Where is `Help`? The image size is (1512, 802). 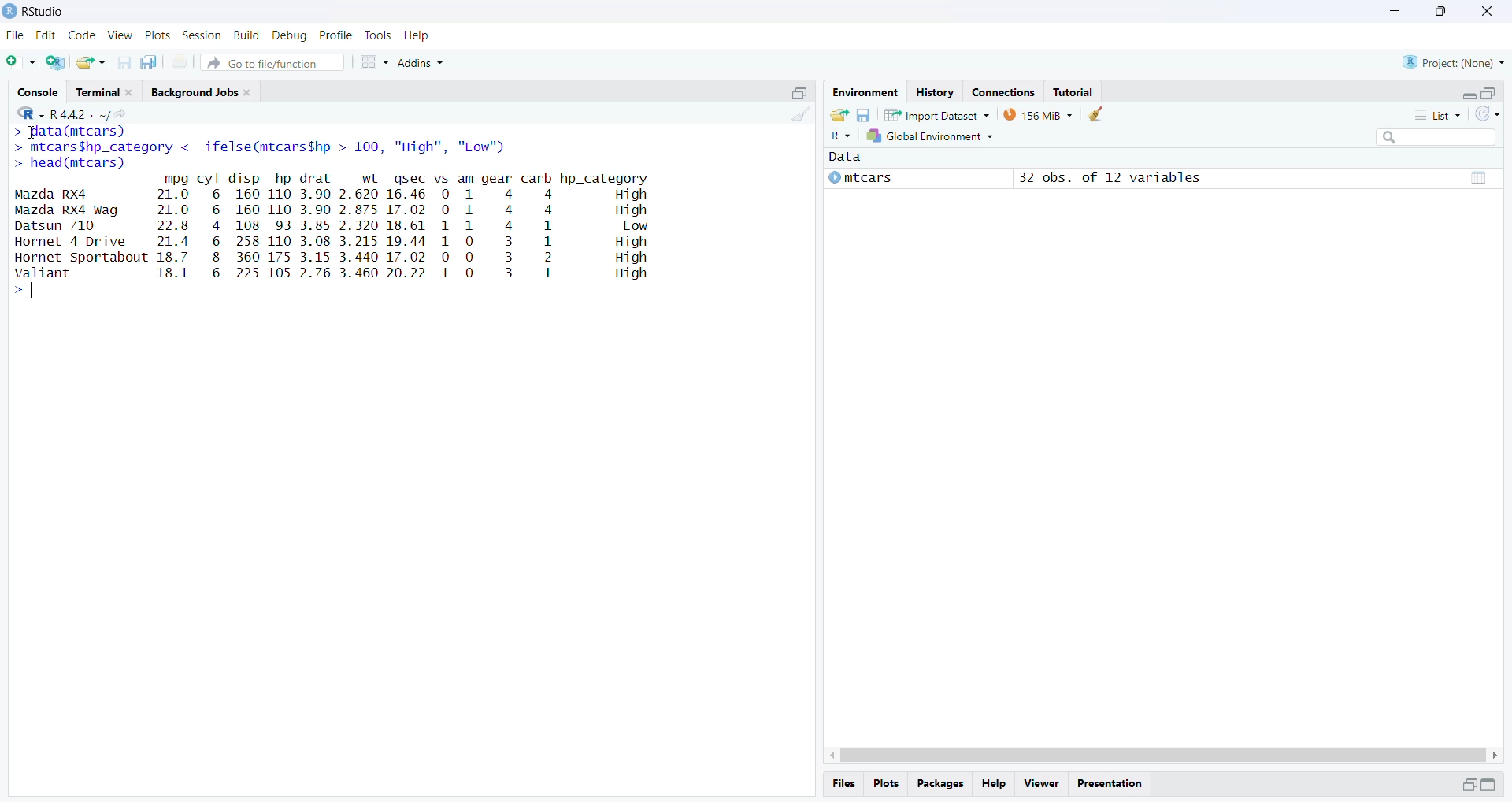
Help is located at coordinates (996, 784).